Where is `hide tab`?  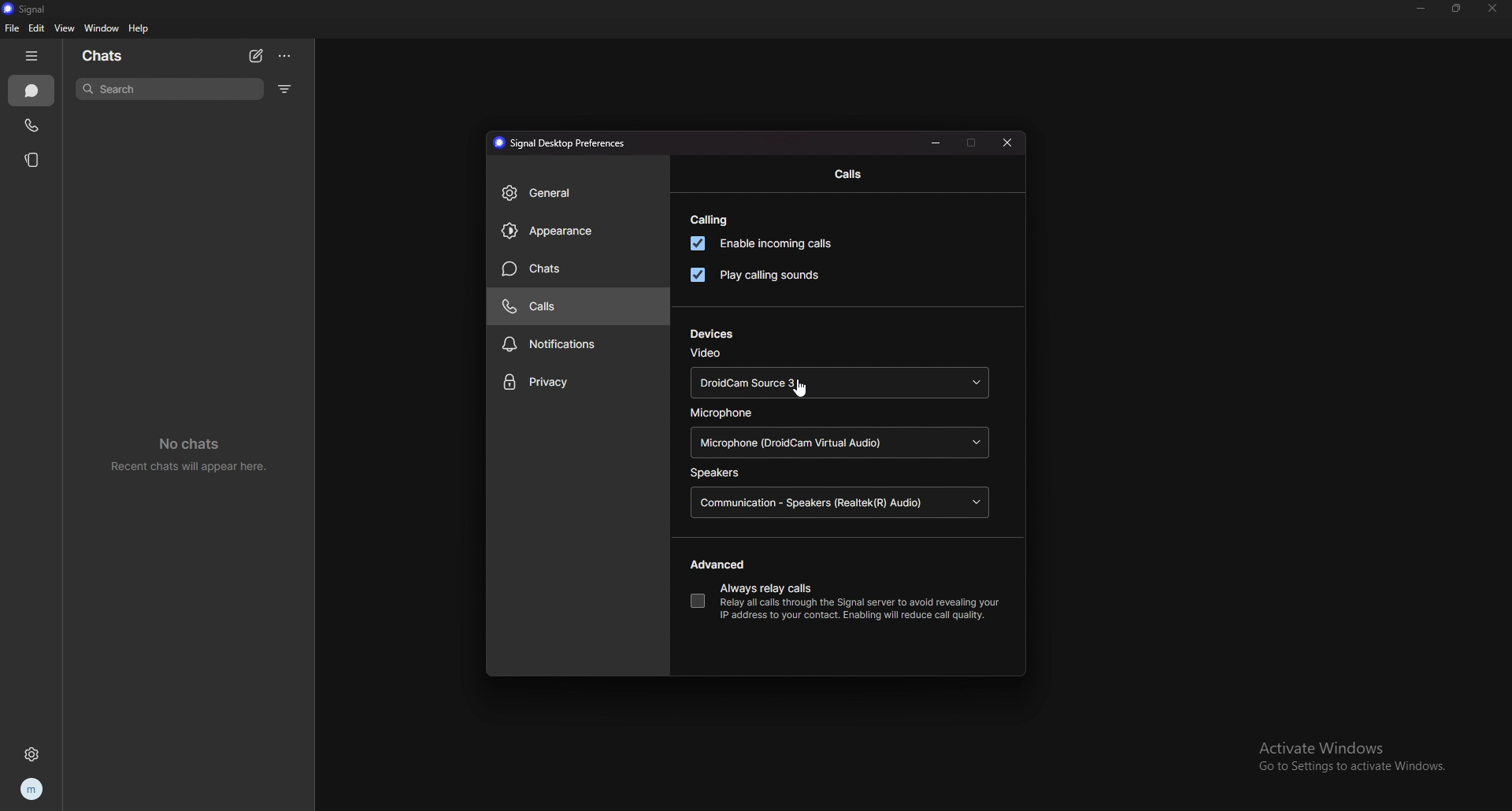
hide tab is located at coordinates (35, 56).